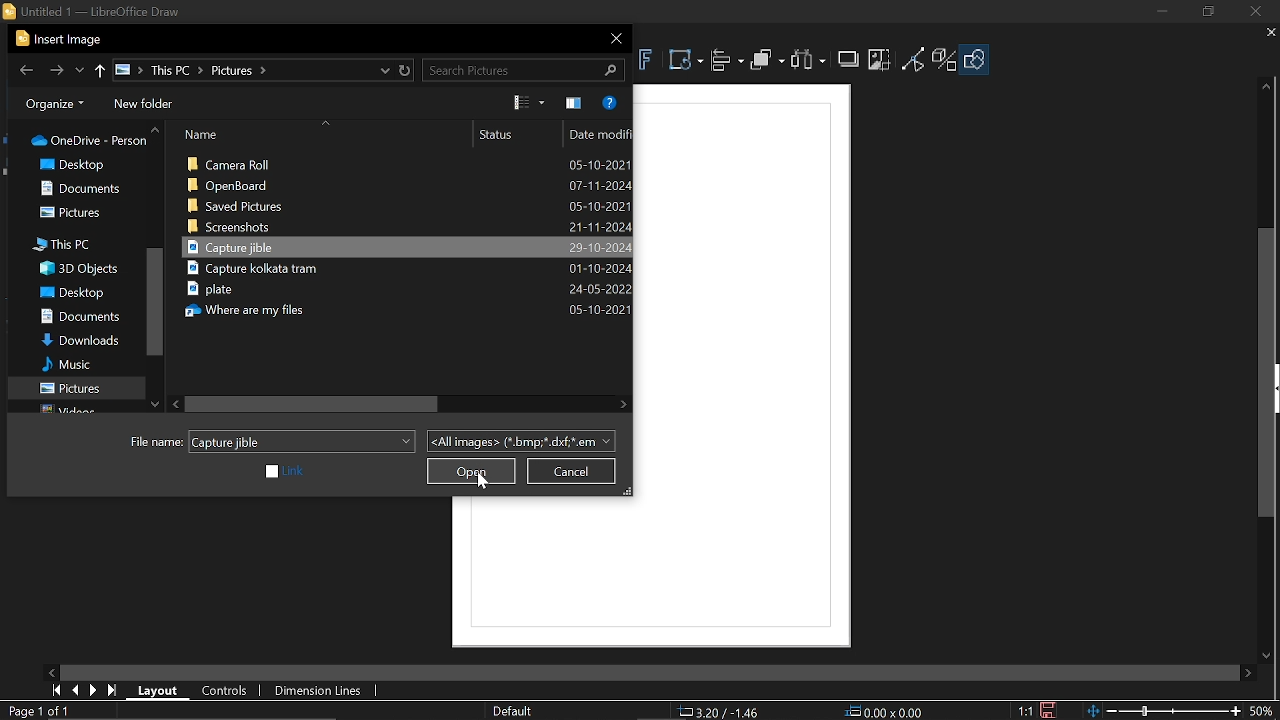 The image size is (1280, 720). I want to click on File name, so click(302, 441).